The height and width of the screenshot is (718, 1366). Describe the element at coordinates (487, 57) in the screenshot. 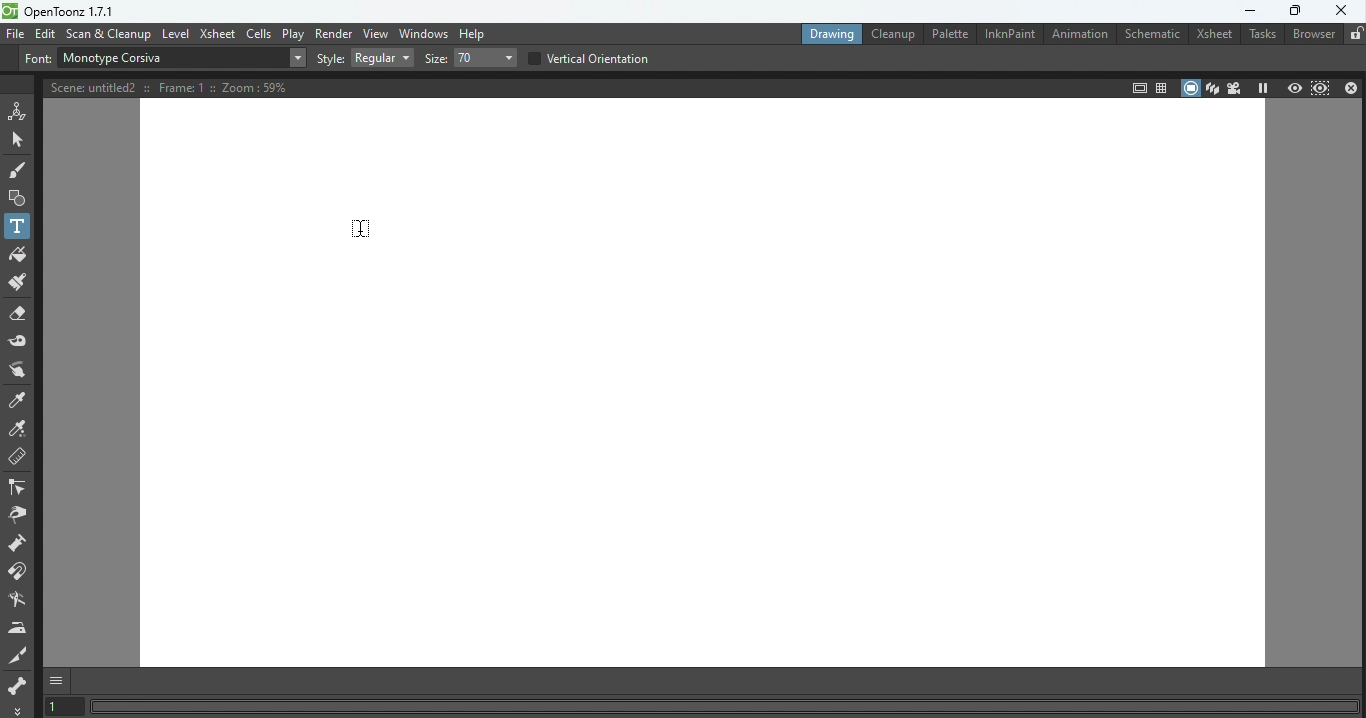

I see `Drop down` at that location.